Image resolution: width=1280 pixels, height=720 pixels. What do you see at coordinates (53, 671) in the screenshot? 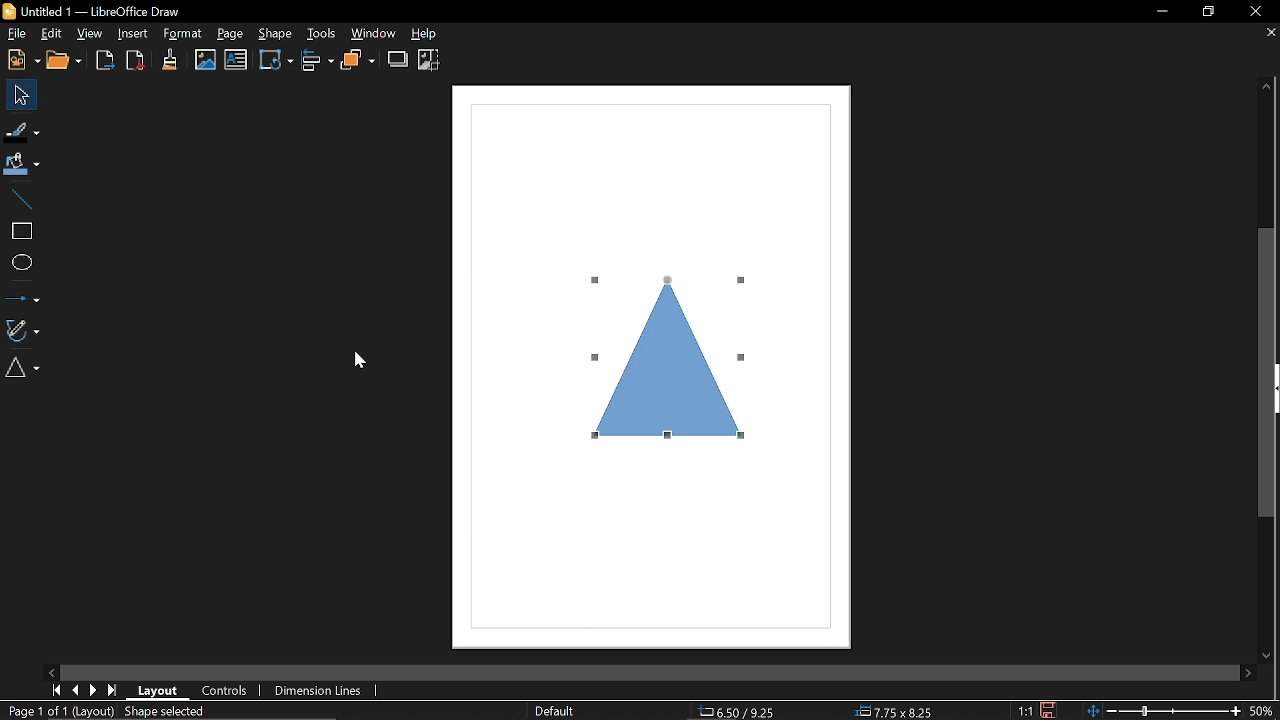
I see `Move lfeft` at bounding box center [53, 671].